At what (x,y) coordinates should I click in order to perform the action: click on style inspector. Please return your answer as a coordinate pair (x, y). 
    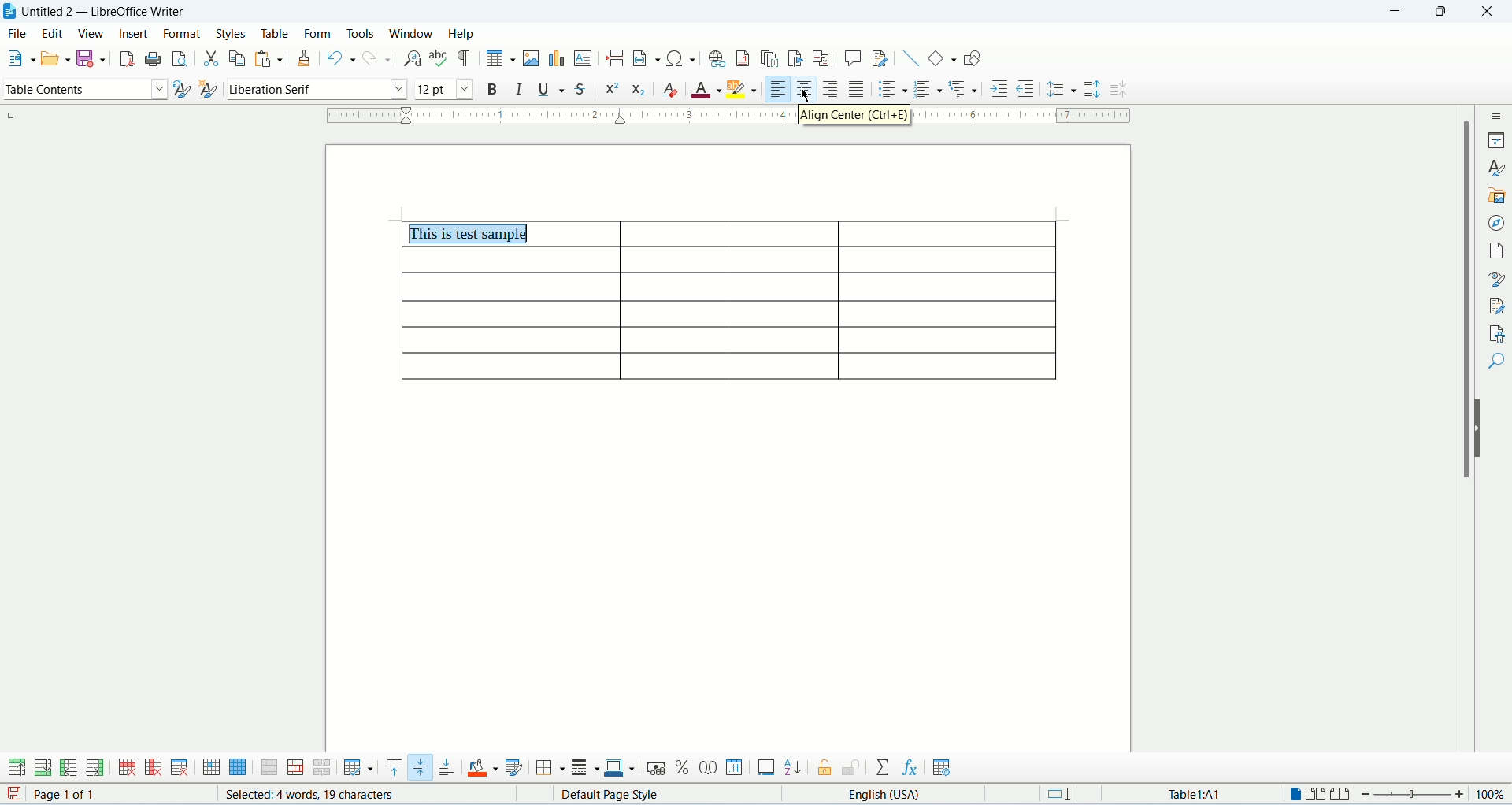
    Looking at the image, I should click on (1498, 278).